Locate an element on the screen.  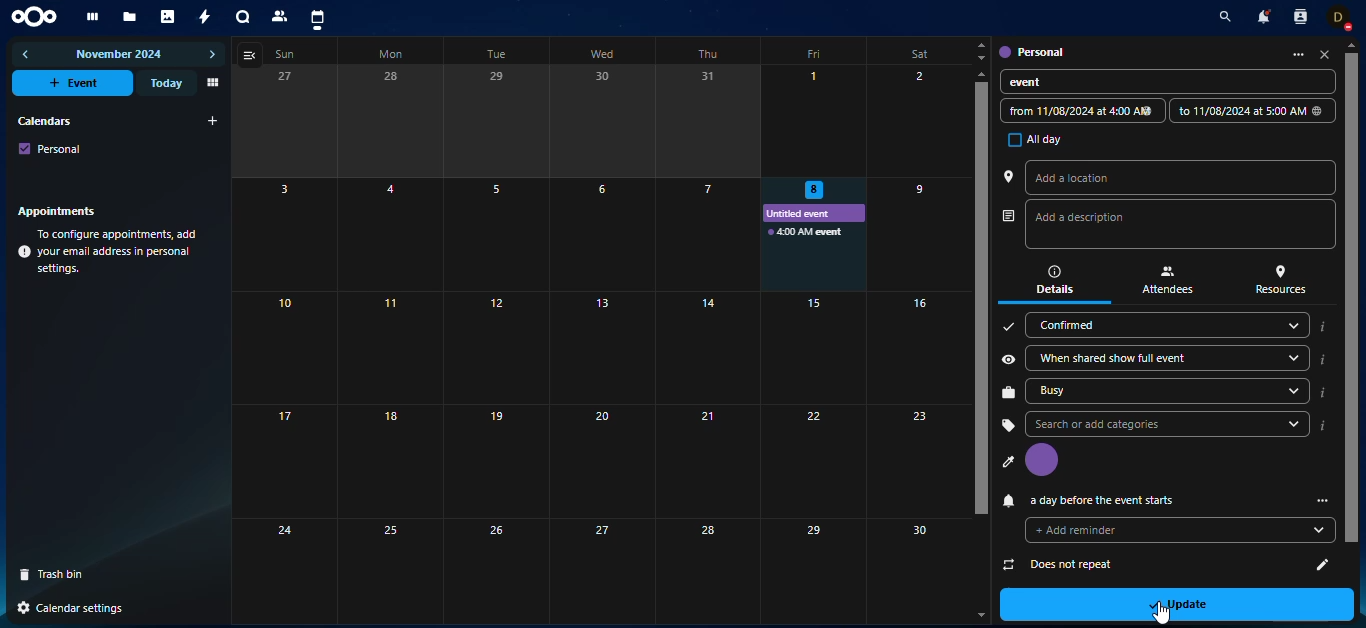
work is located at coordinates (1010, 393).